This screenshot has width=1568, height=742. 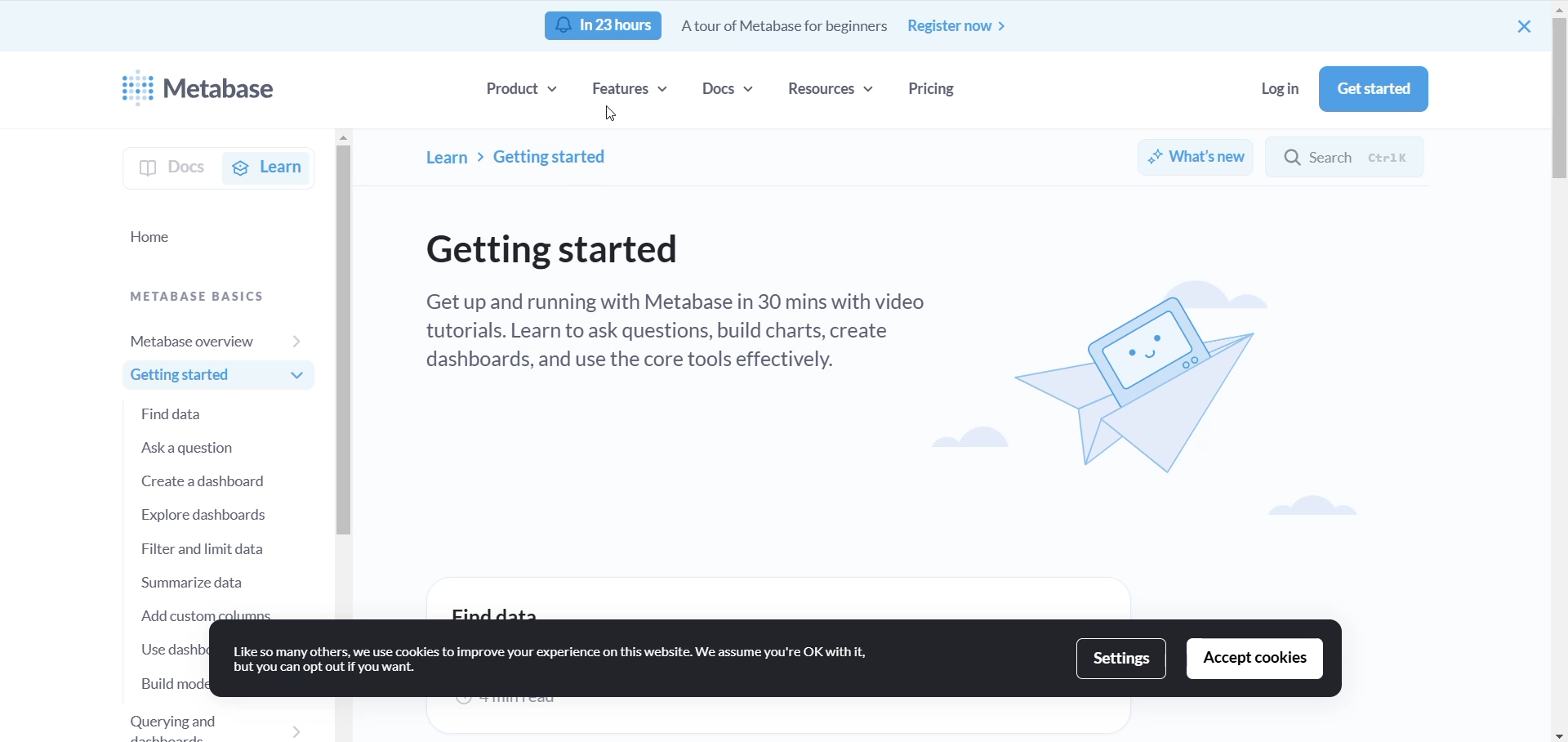 I want to click on summarize data, so click(x=199, y=582).